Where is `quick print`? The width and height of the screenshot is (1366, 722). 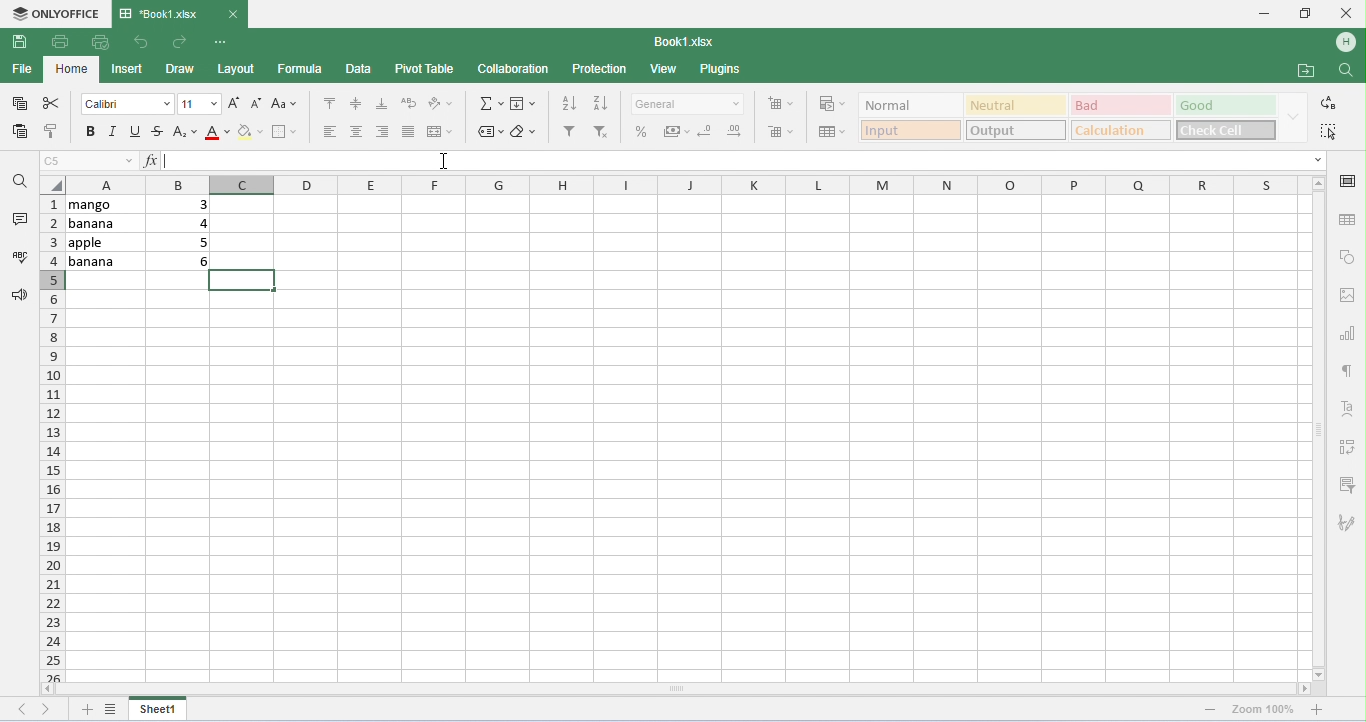
quick print is located at coordinates (98, 42).